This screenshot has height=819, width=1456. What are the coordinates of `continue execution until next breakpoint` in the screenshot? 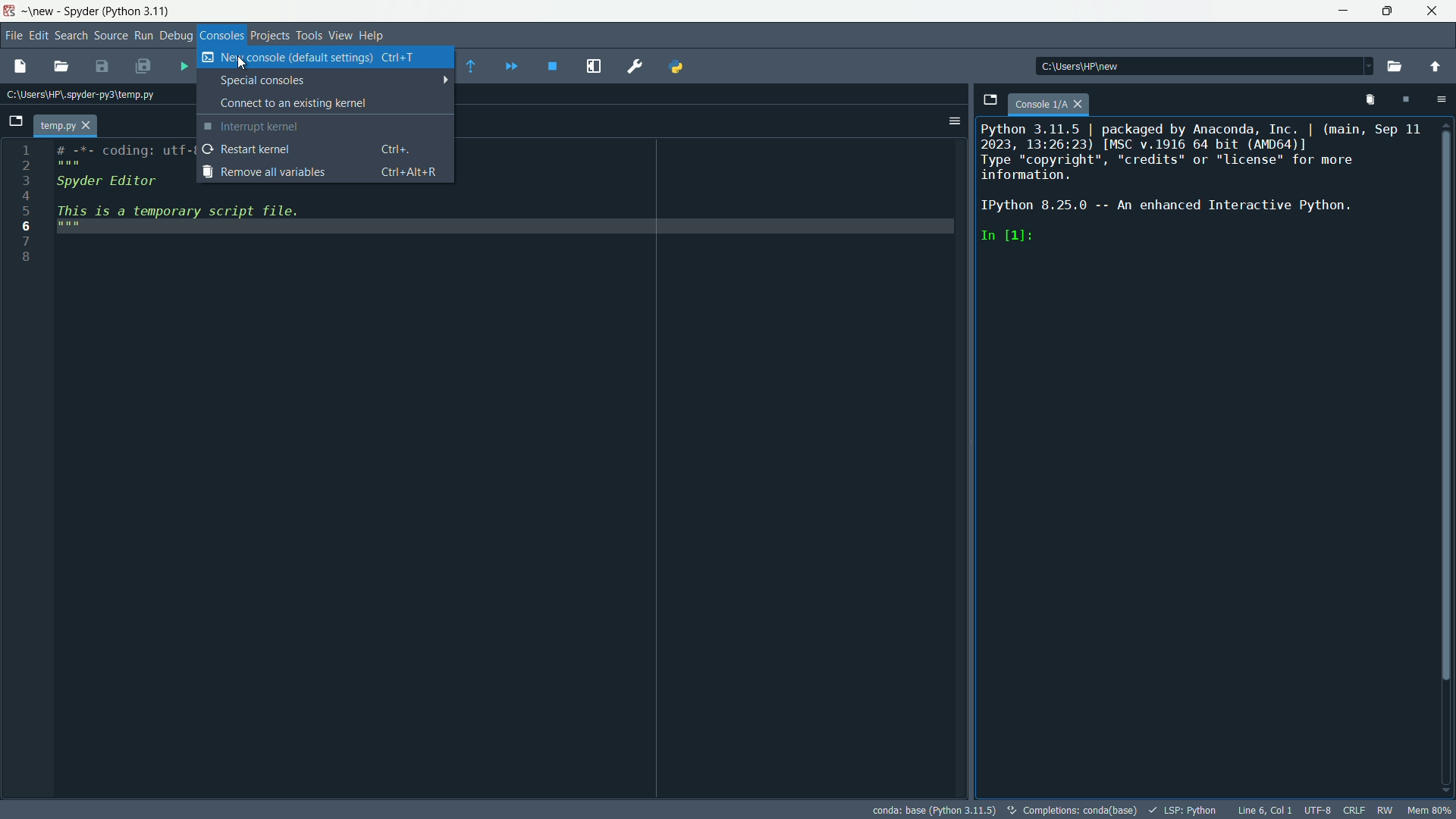 It's located at (505, 66).